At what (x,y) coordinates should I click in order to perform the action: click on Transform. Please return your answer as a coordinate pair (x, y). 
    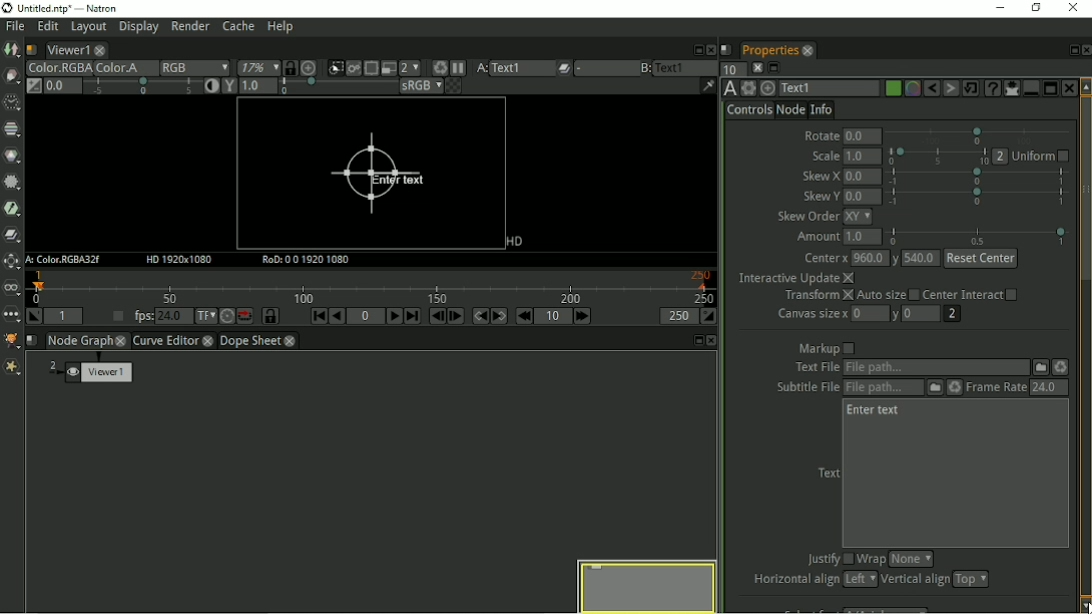
    Looking at the image, I should click on (11, 262).